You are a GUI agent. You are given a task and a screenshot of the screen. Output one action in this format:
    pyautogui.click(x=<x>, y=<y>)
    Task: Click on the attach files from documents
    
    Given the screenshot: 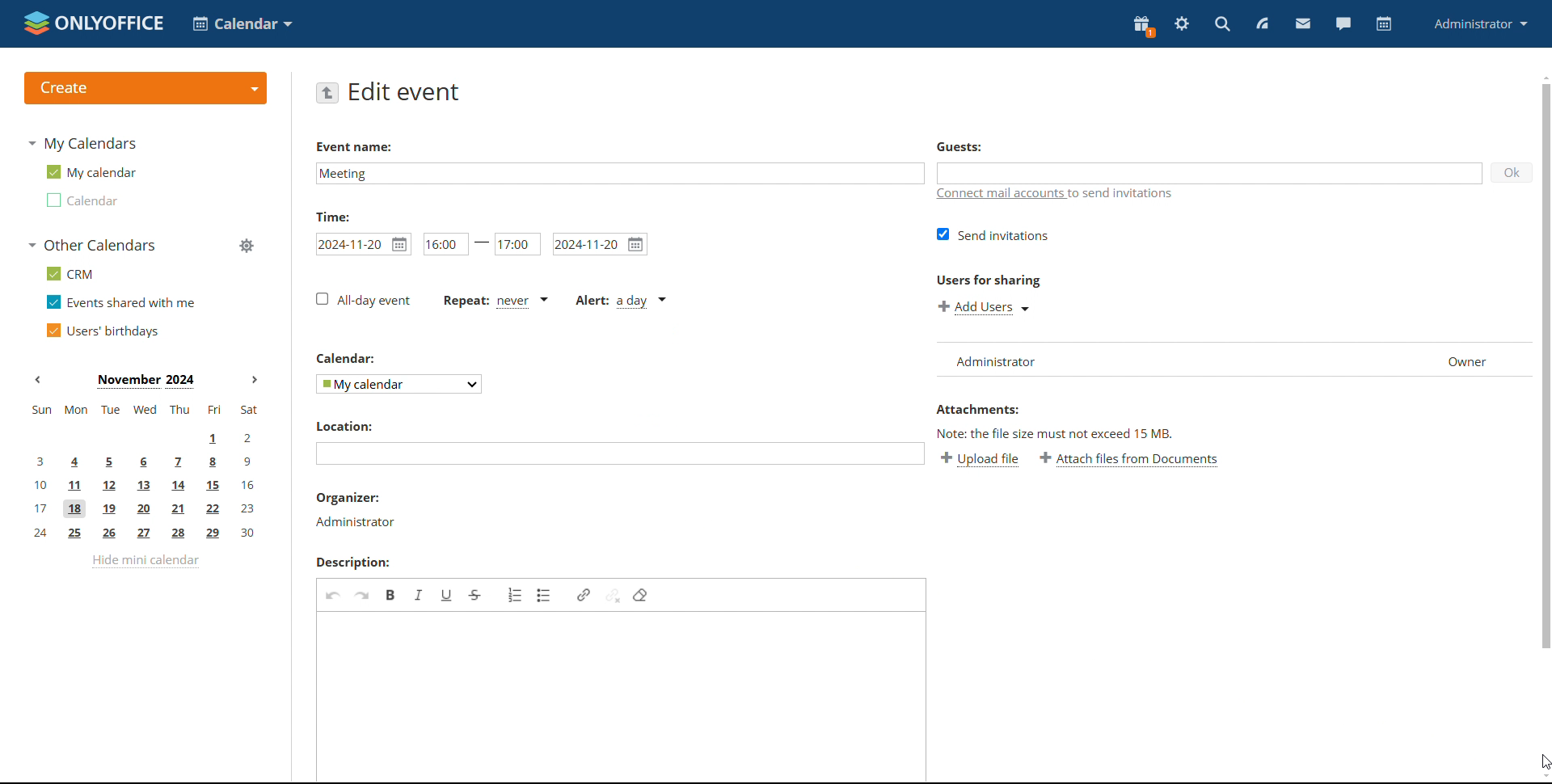 What is the action you would take?
    pyautogui.click(x=1128, y=458)
    